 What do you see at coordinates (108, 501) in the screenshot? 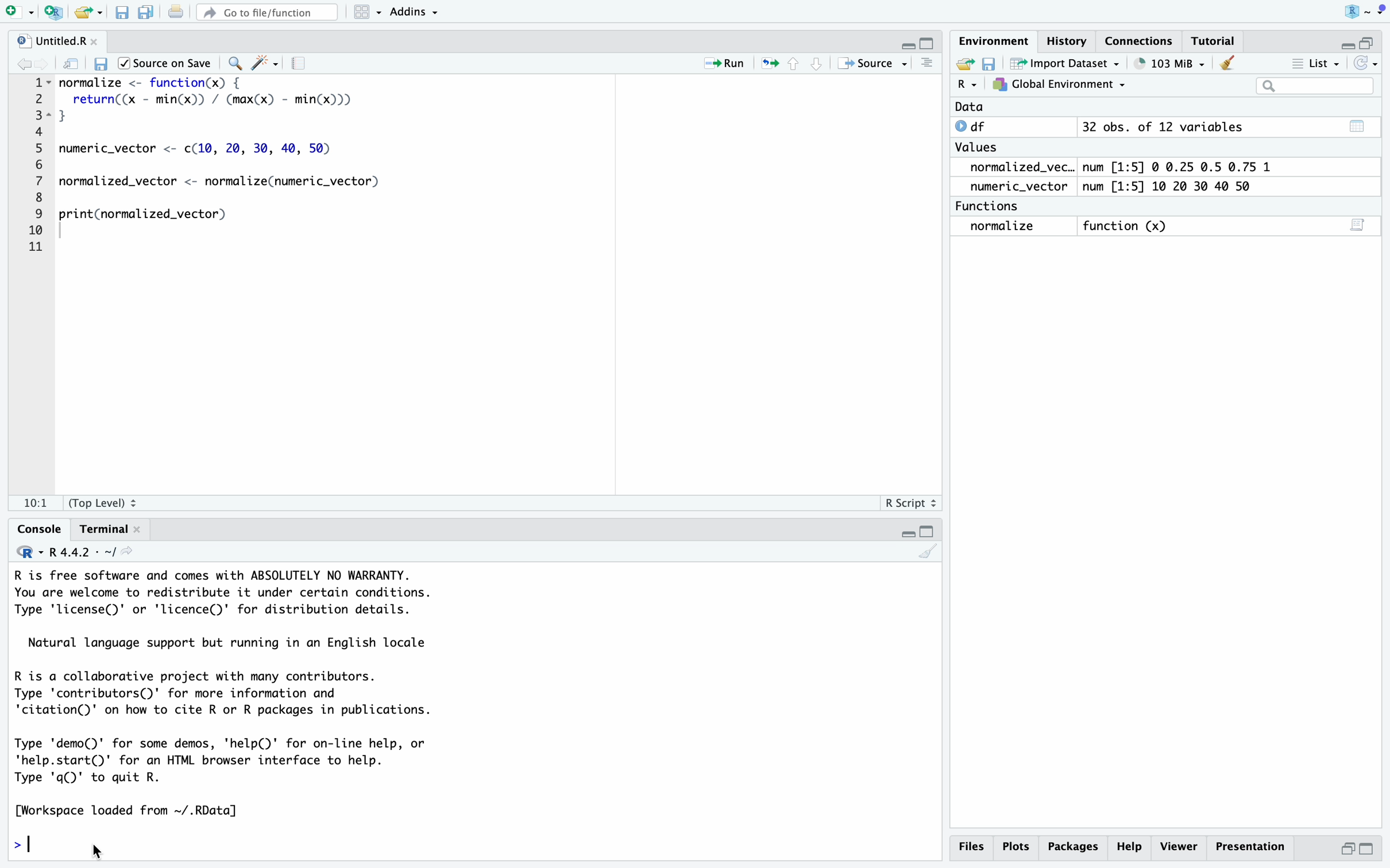
I see `(Top Level)` at bounding box center [108, 501].